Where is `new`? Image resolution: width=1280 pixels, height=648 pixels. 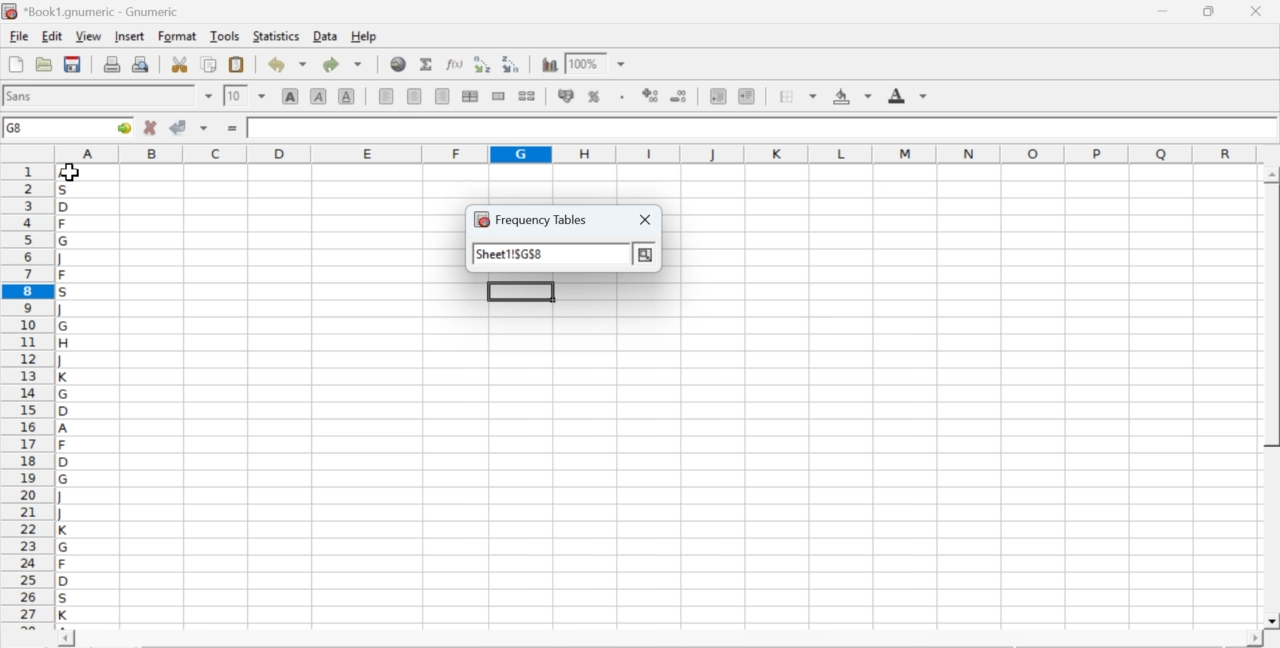 new is located at coordinates (15, 64).